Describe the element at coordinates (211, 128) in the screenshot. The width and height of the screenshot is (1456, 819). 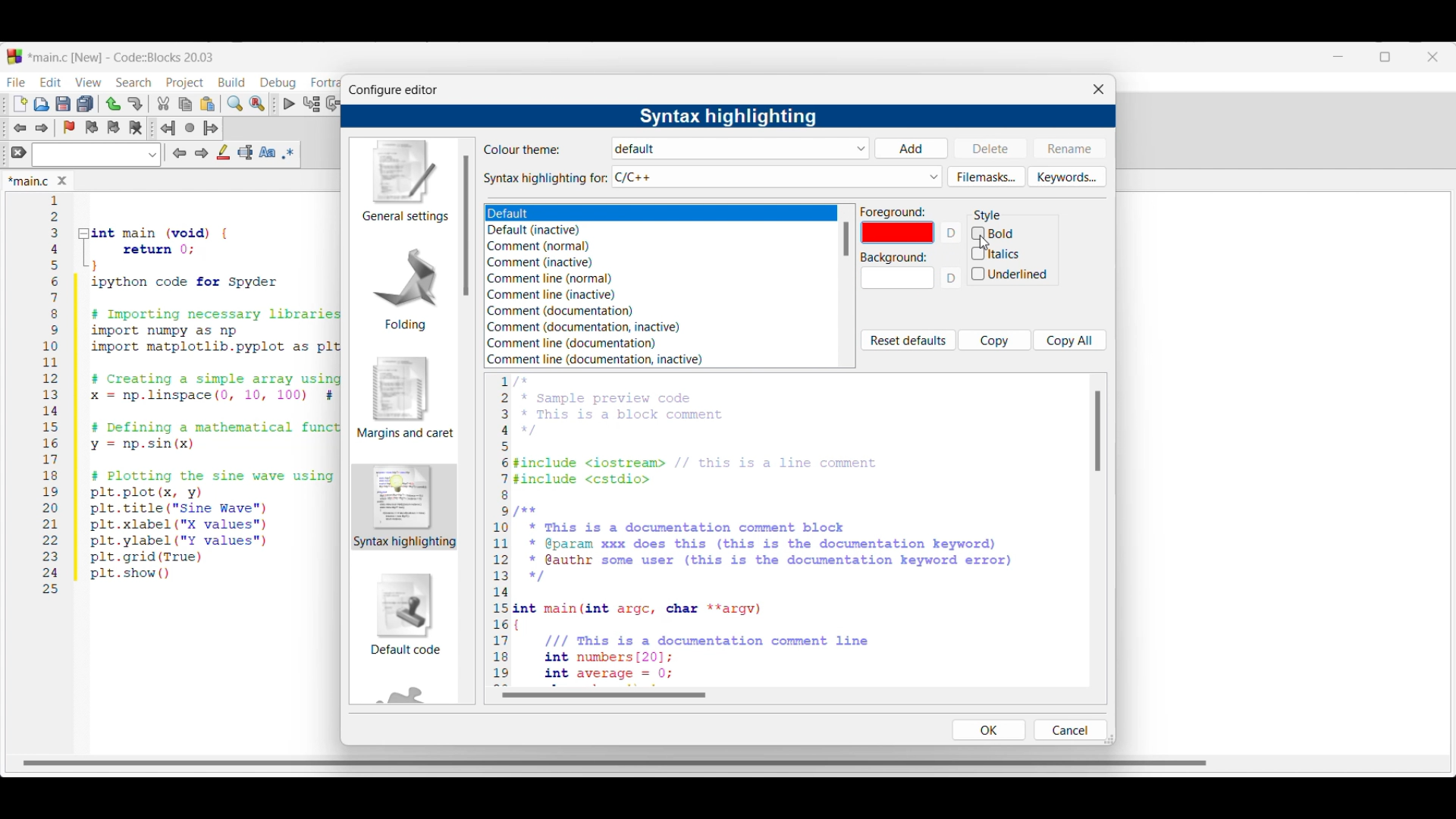
I see `Jump forward` at that location.